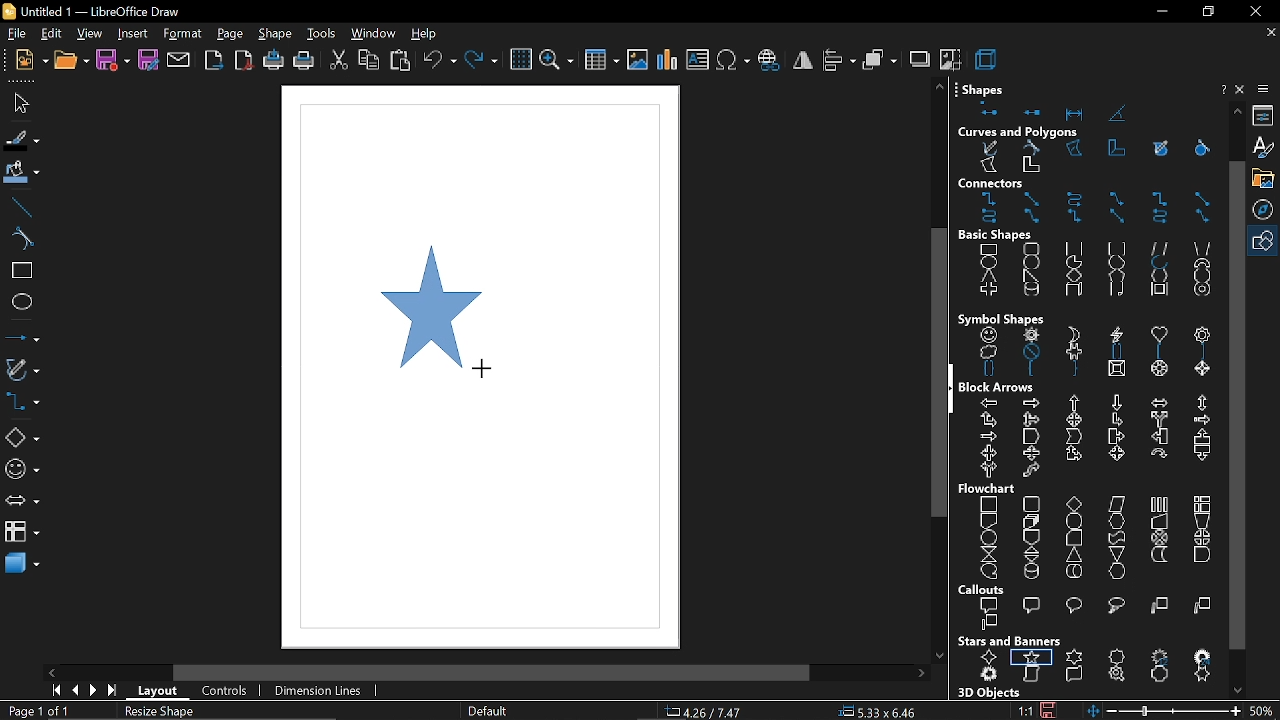  What do you see at coordinates (20, 138) in the screenshot?
I see `line color` at bounding box center [20, 138].